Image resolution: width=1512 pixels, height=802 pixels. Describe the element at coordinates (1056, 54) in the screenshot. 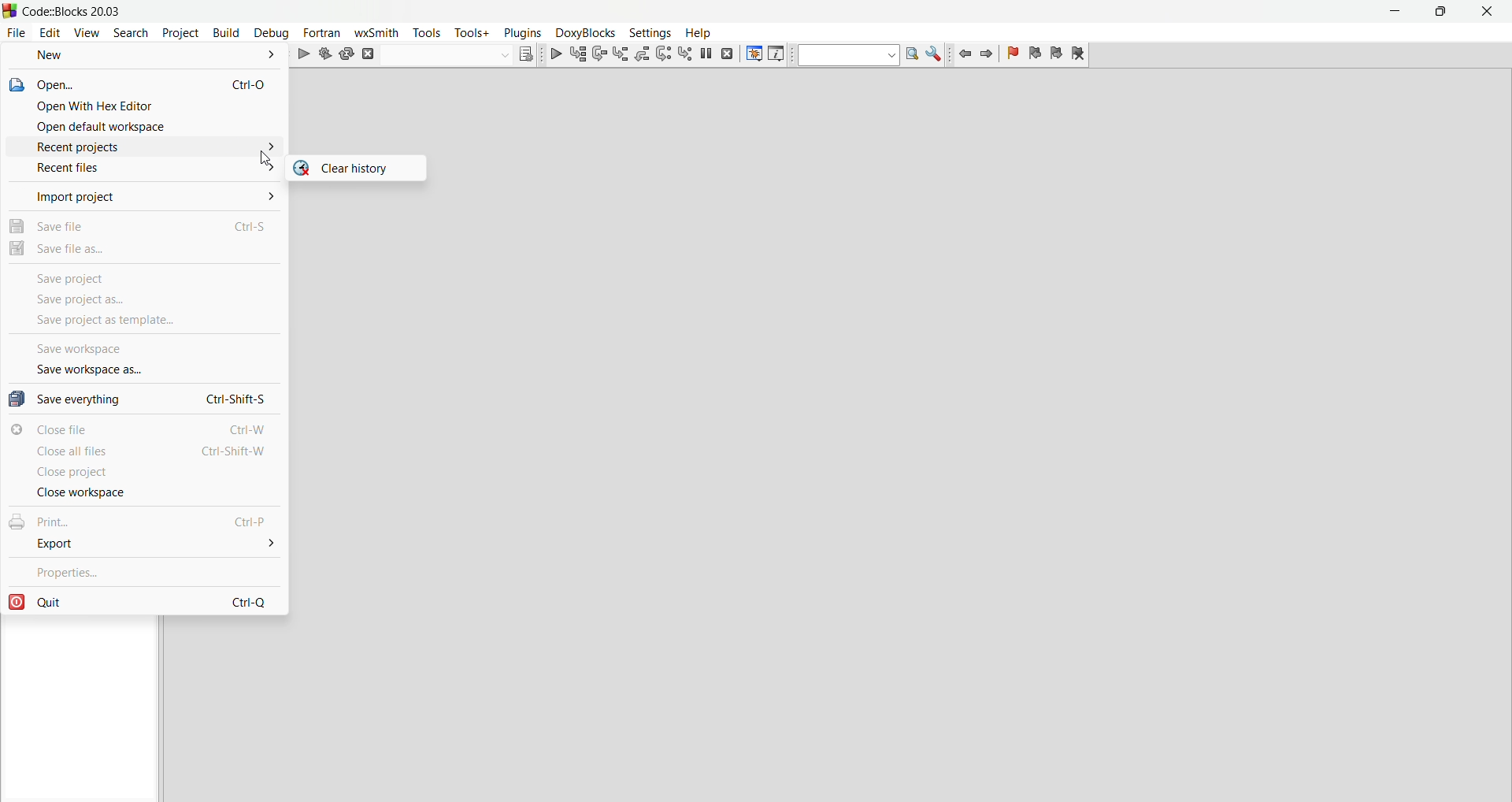

I see `next bookmark` at that location.